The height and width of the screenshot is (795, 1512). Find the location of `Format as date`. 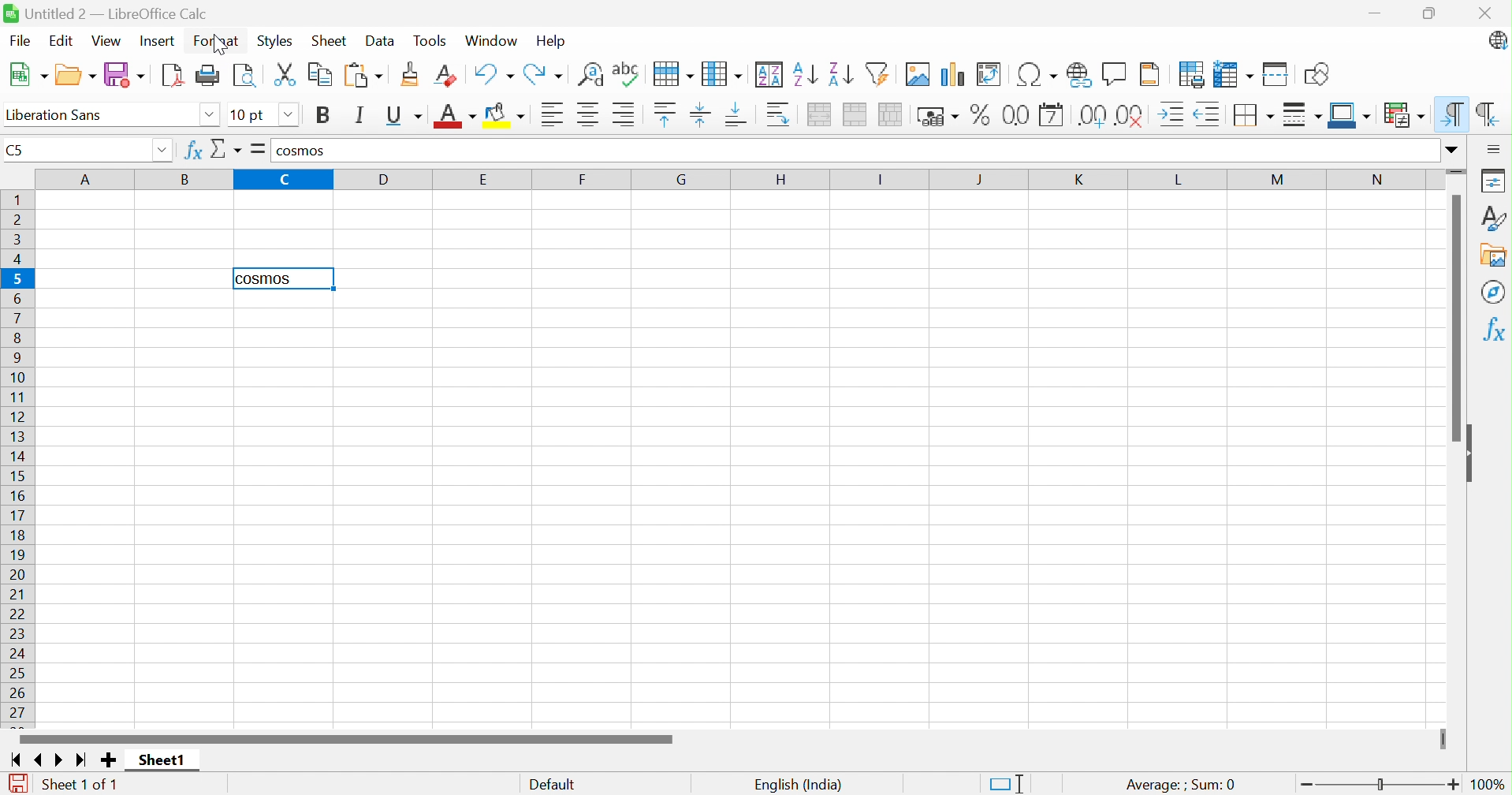

Format as date is located at coordinates (1053, 114).